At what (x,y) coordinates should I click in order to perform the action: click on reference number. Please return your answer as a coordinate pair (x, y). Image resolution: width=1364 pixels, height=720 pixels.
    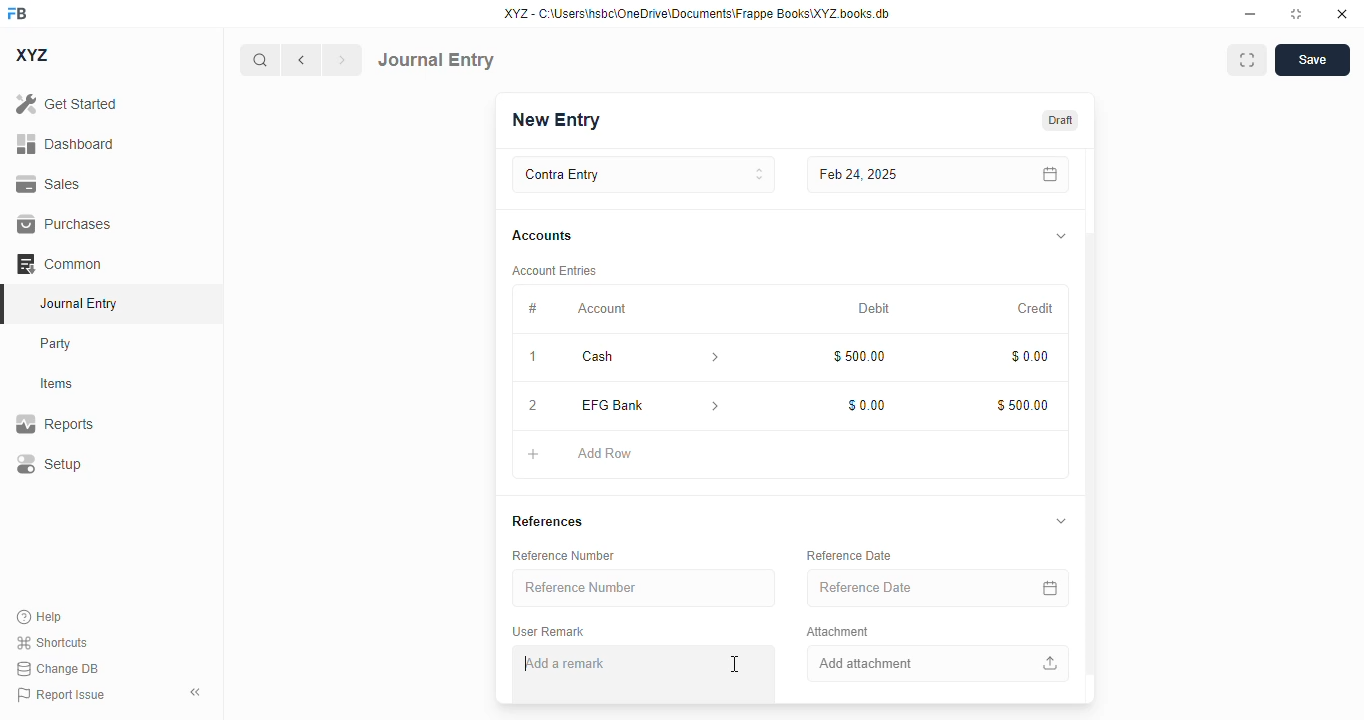
    Looking at the image, I should click on (645, 588).